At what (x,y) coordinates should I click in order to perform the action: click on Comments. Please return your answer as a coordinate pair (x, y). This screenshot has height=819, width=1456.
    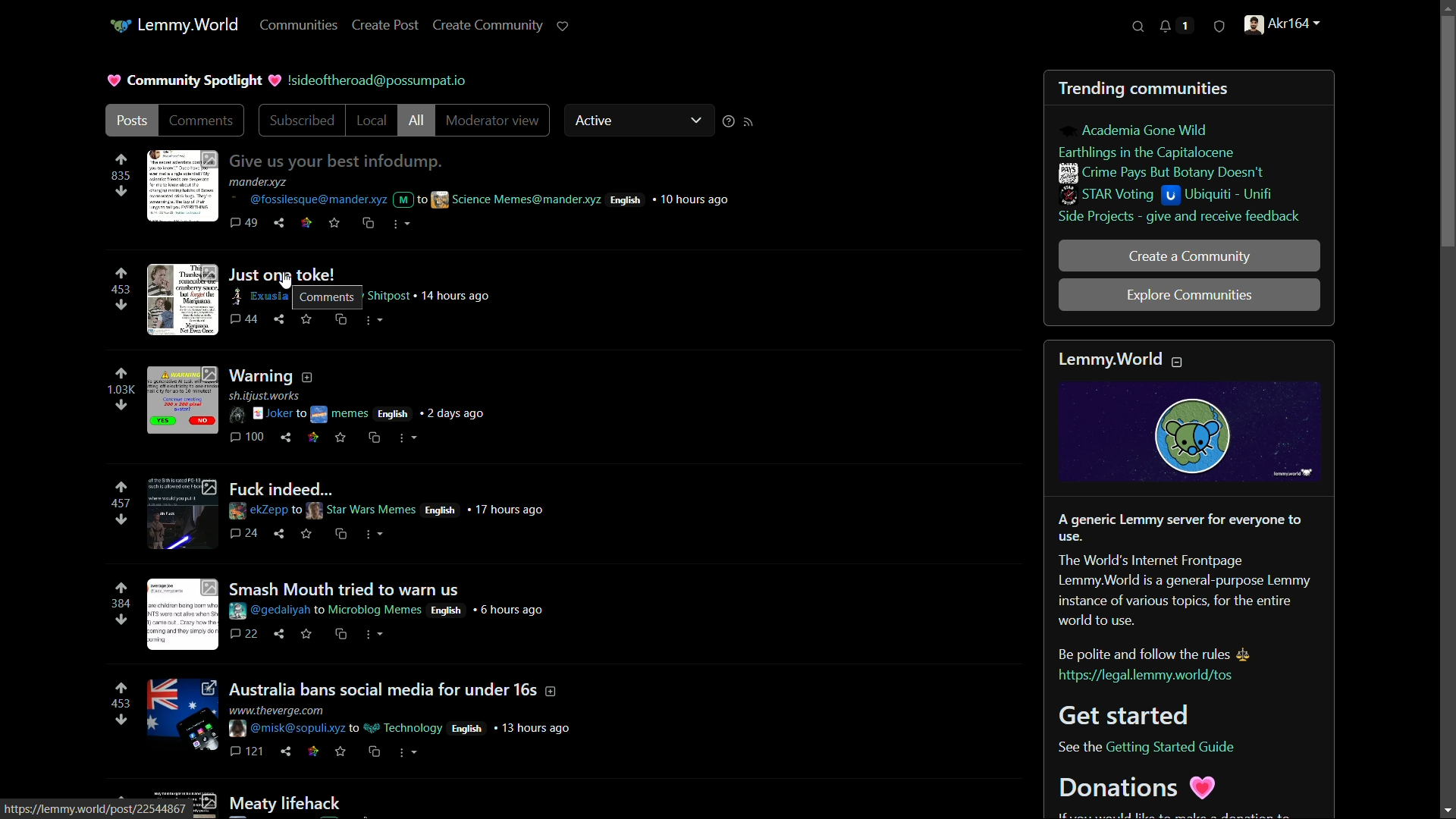
    Looking at the image, I should click on (327, 297).